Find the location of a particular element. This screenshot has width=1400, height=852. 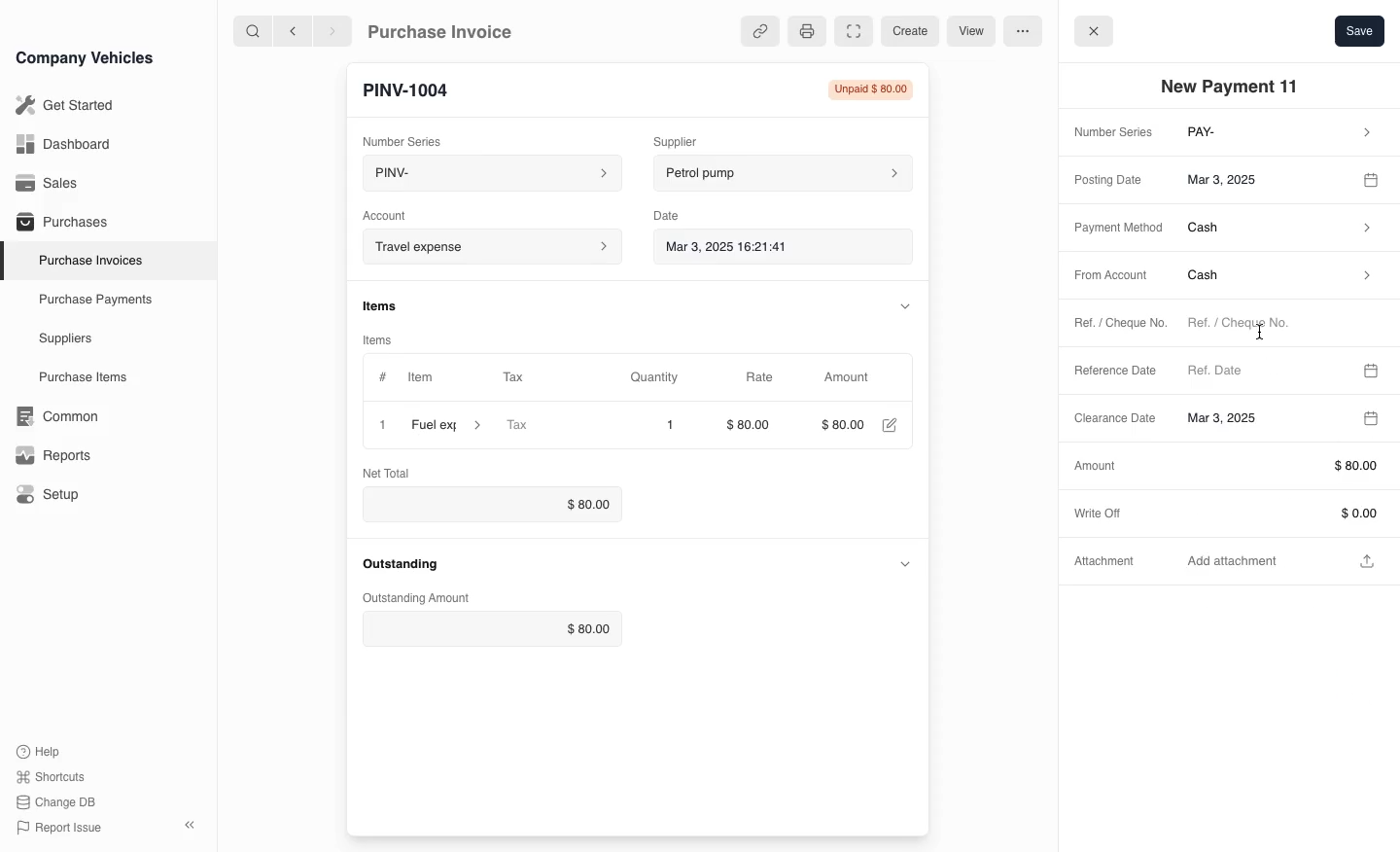

Report issue is located at coordinates (62, 829).